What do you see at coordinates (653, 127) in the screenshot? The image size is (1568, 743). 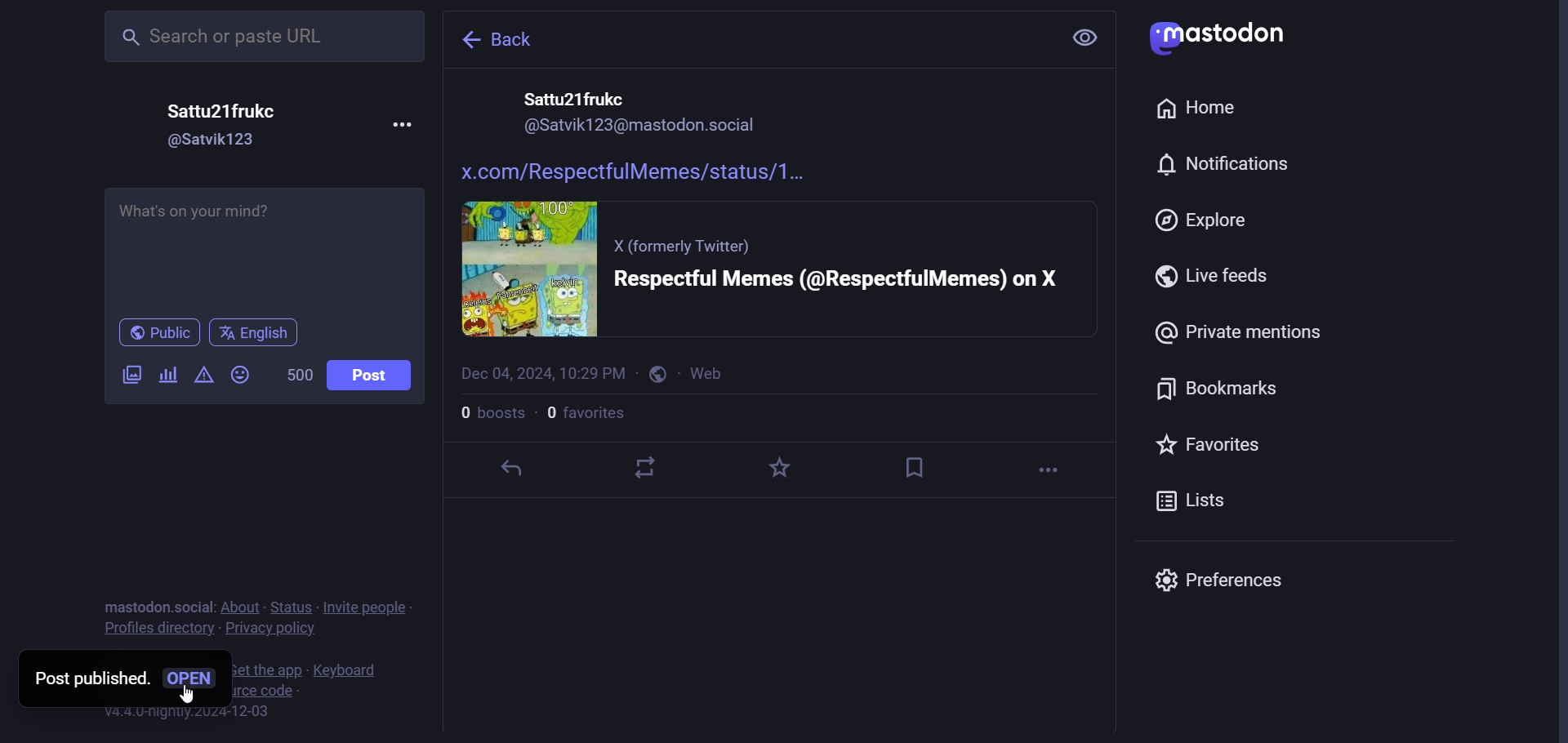 I see `id` at bounding box center [653, 127].